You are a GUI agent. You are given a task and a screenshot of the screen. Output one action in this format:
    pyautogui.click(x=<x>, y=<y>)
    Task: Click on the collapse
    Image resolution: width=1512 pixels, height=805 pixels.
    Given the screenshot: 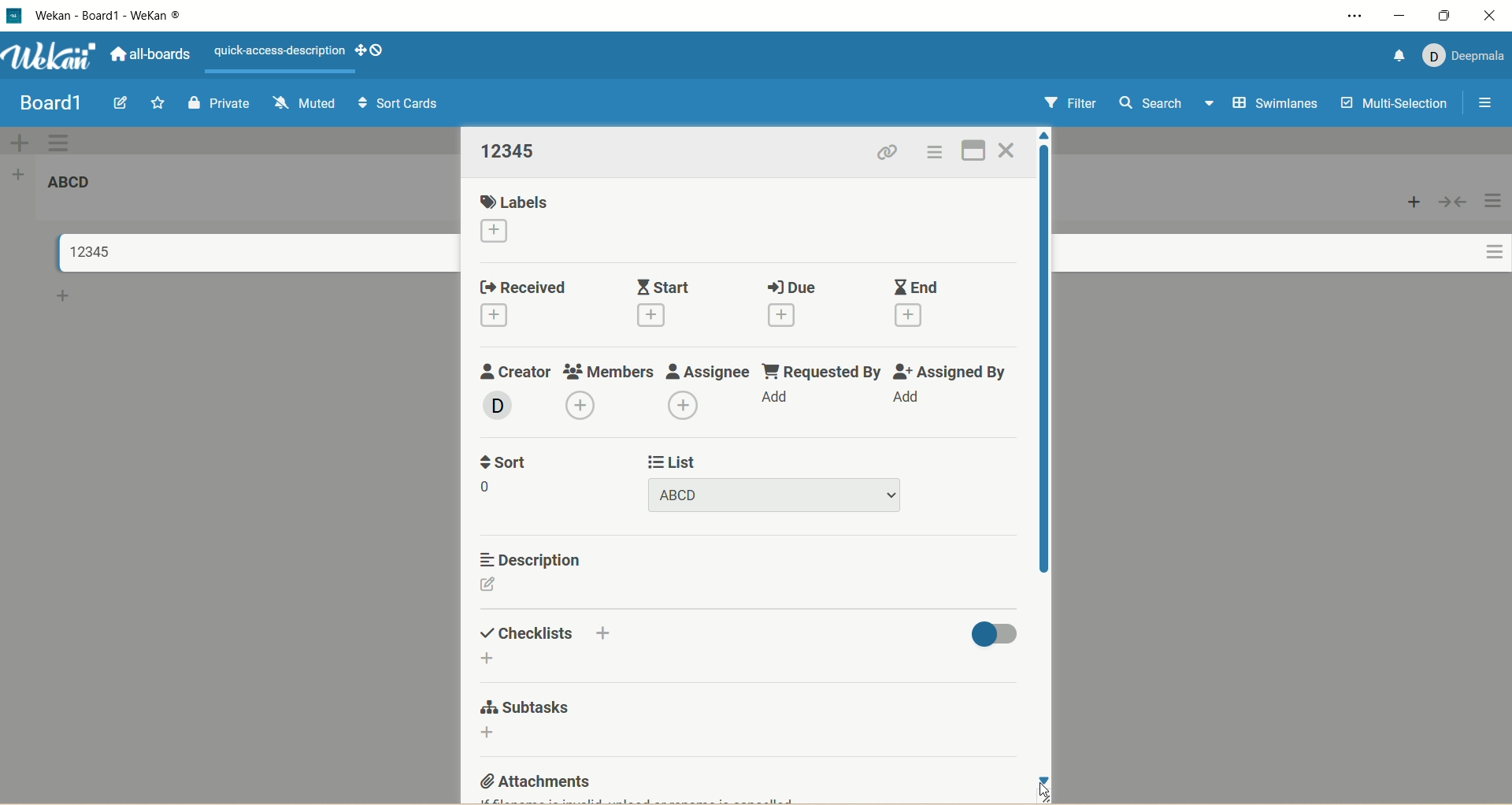 What is the action you would take?
    pyautogui.click(x=1451, y=202)
    